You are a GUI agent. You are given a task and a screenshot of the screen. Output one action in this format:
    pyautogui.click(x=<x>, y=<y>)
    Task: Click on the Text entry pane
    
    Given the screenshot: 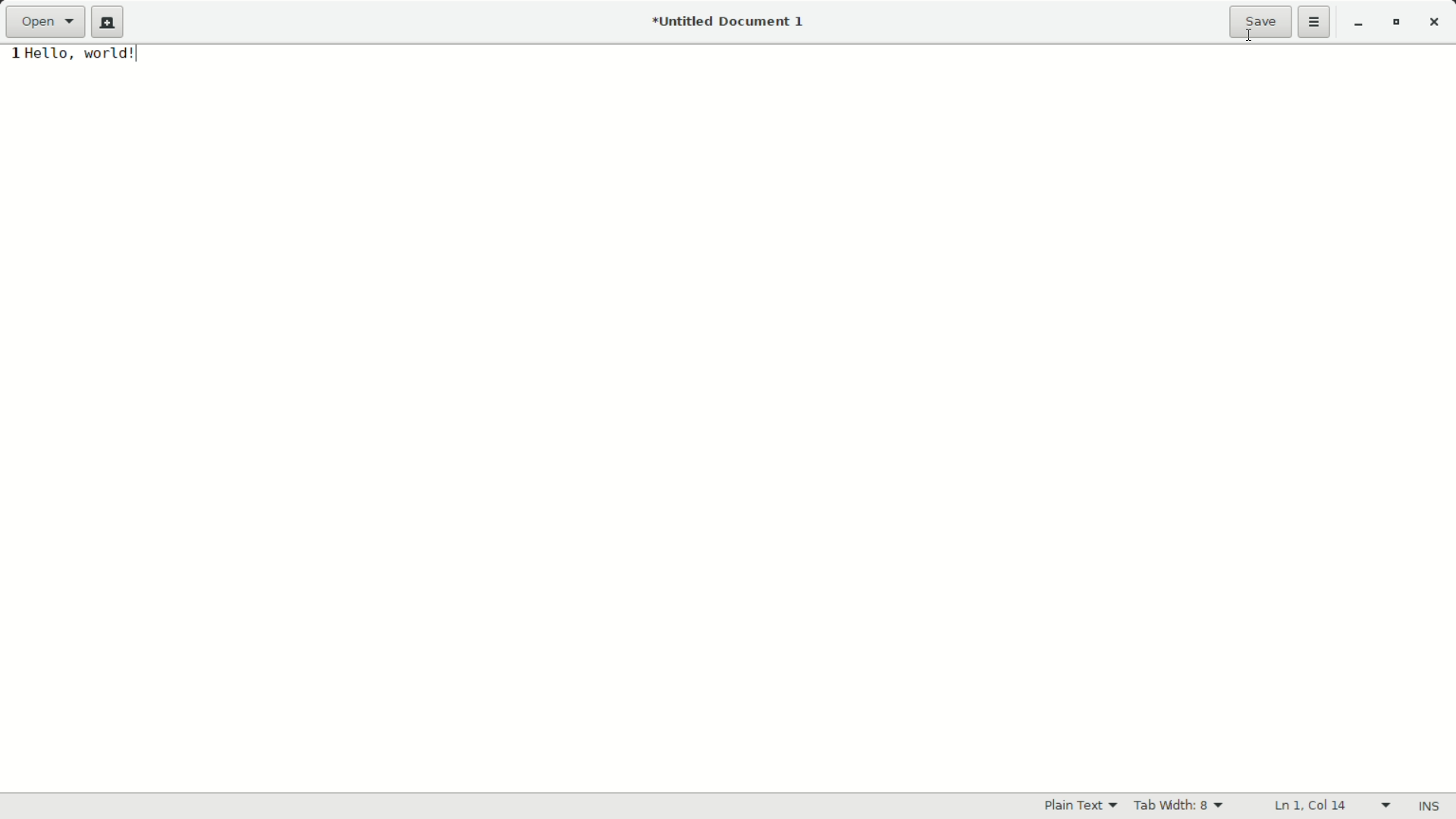 What is the action you would take?
    pyautogui.click(x=731, y=433)
    